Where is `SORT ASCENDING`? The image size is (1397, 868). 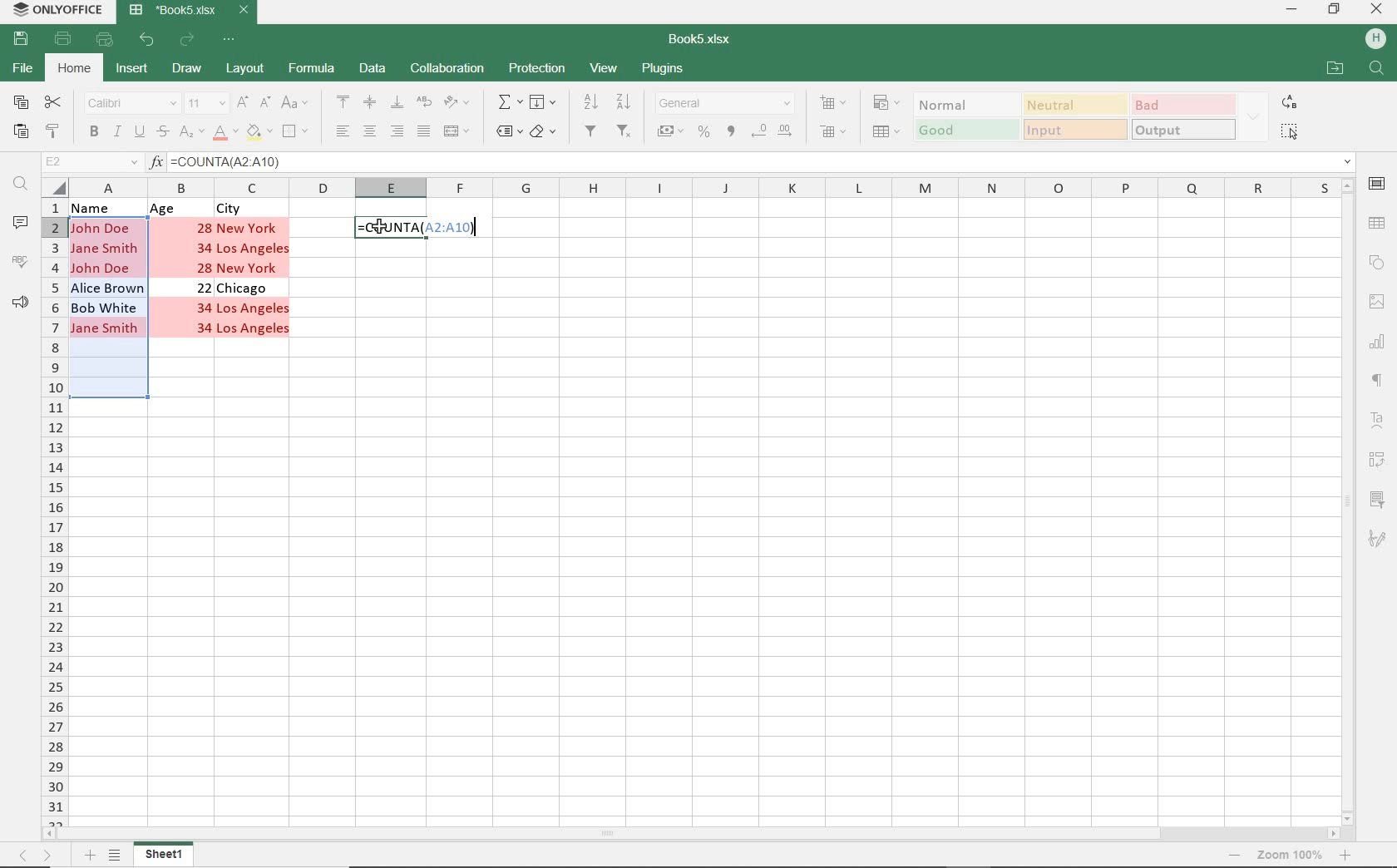
SORT ASCENDING is located at coordinates (591, 101).